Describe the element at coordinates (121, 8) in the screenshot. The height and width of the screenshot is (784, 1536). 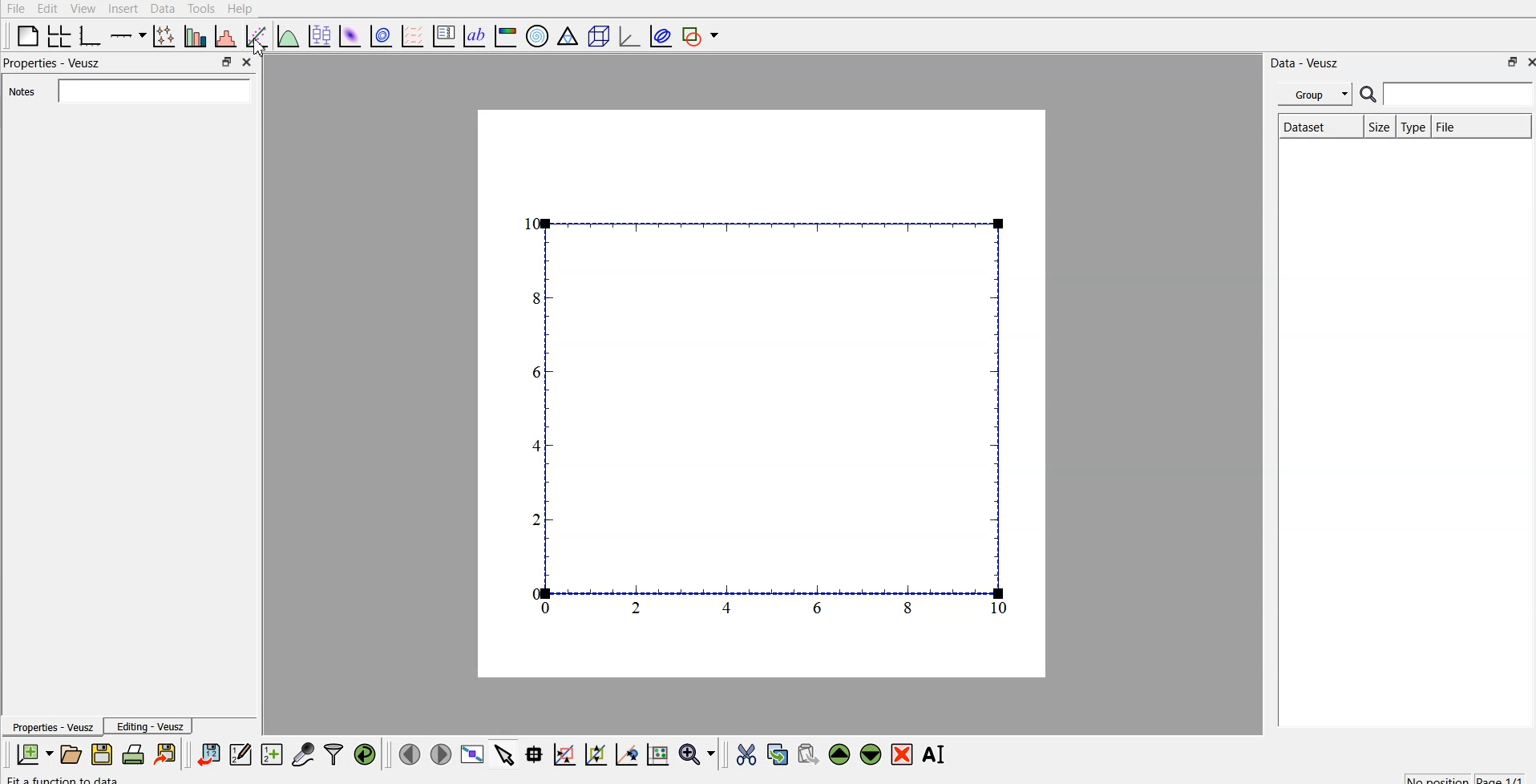
I see `insert` at that location.